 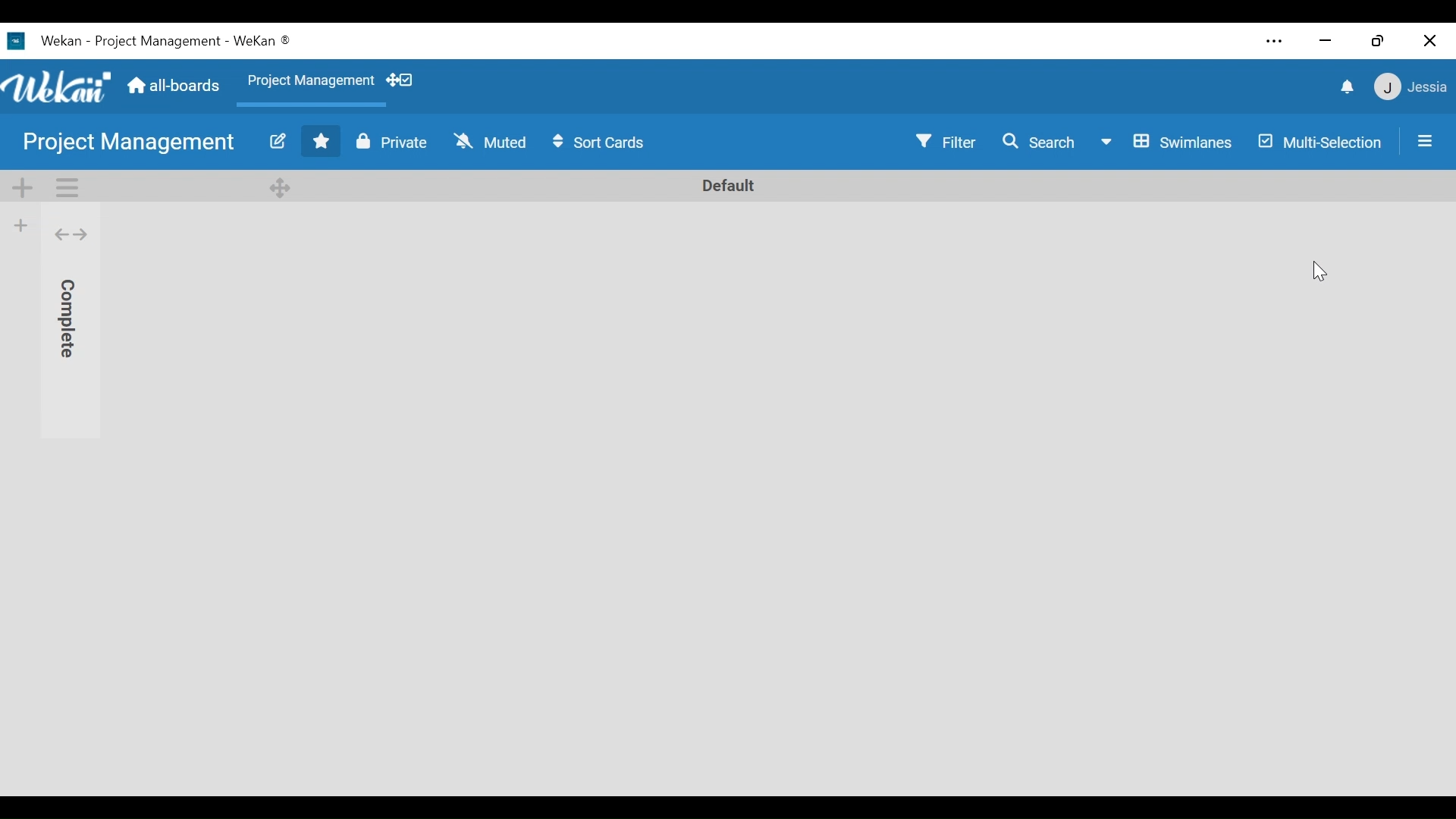 What do you see at coordinates (729, 185) in the screenshot?
I see `Swimlane Name` at bounding box center [729, 185].